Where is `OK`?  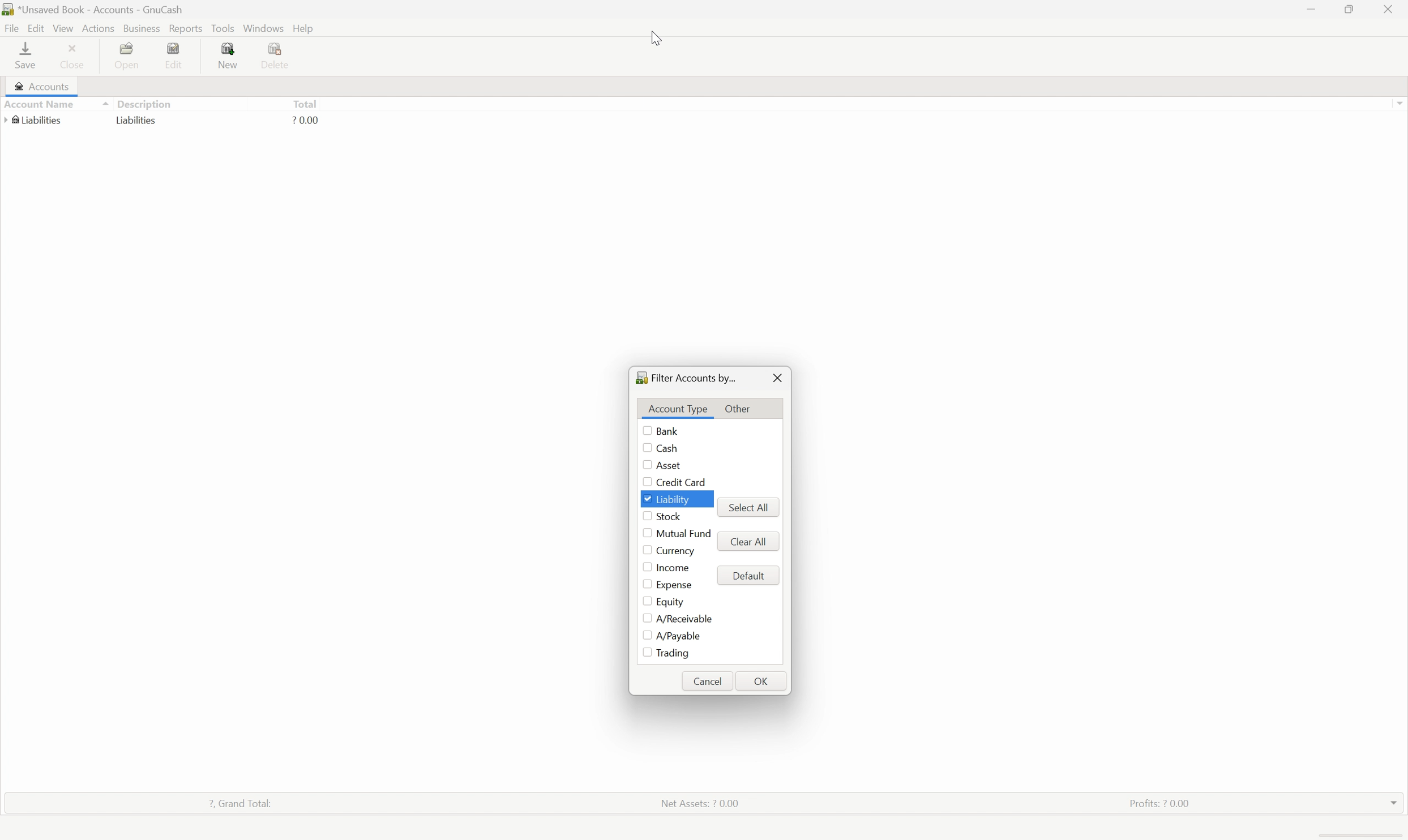 OK is located at coordinates (762, 680).